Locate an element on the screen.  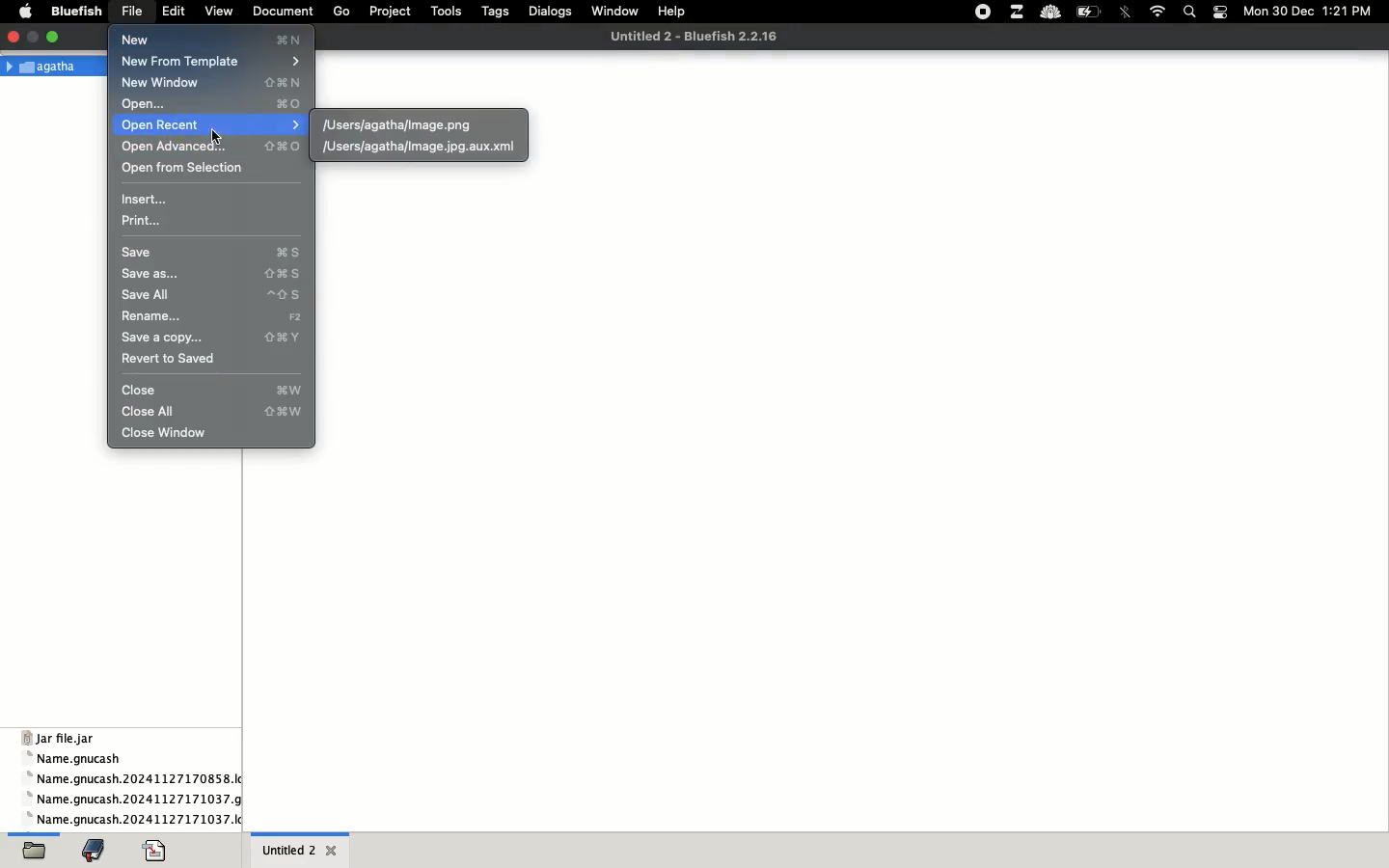
insert is located at coordinates (149, 200).